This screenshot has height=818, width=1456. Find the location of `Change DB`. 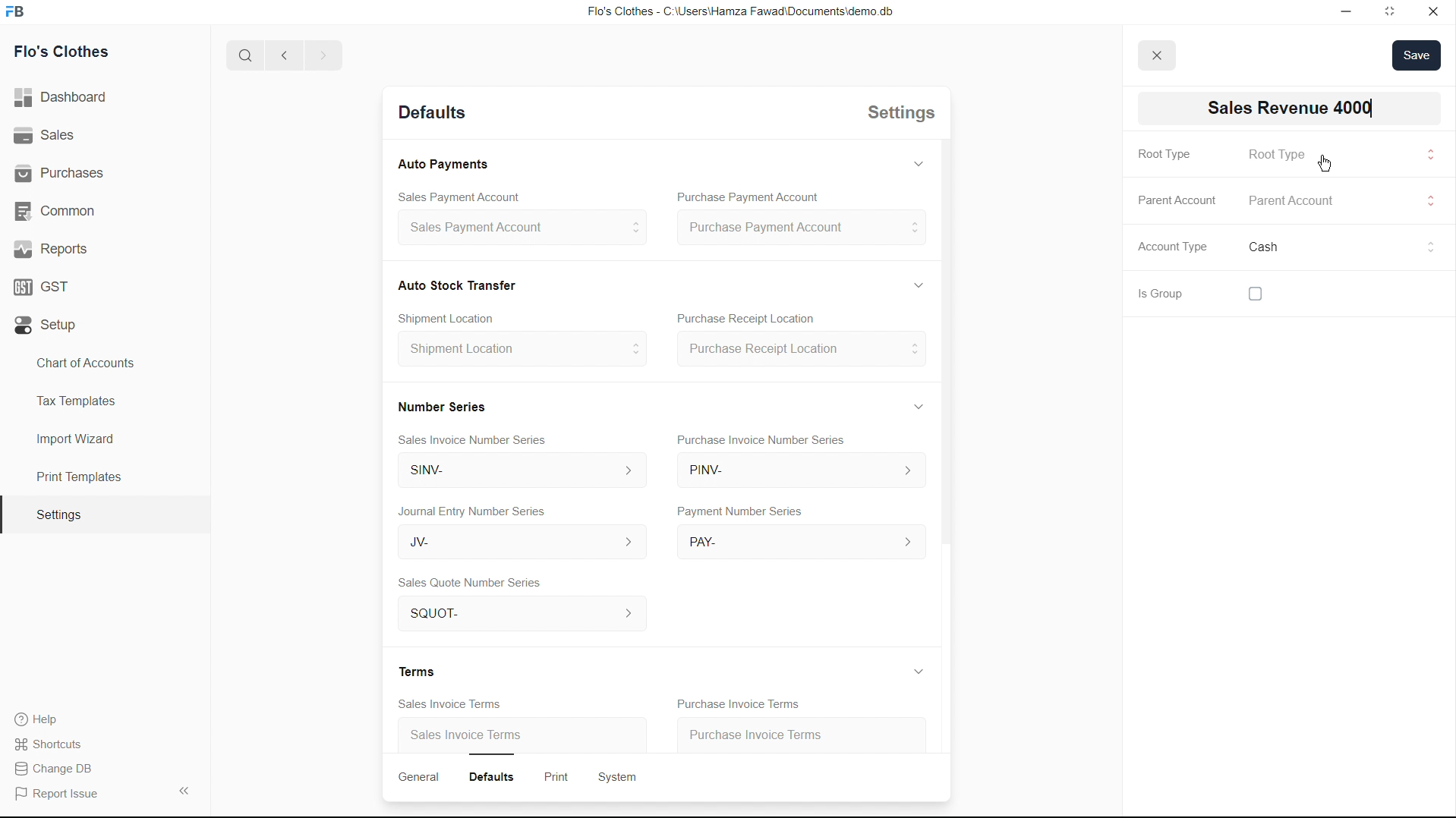

Change DB is located at coordinates (58, 769).